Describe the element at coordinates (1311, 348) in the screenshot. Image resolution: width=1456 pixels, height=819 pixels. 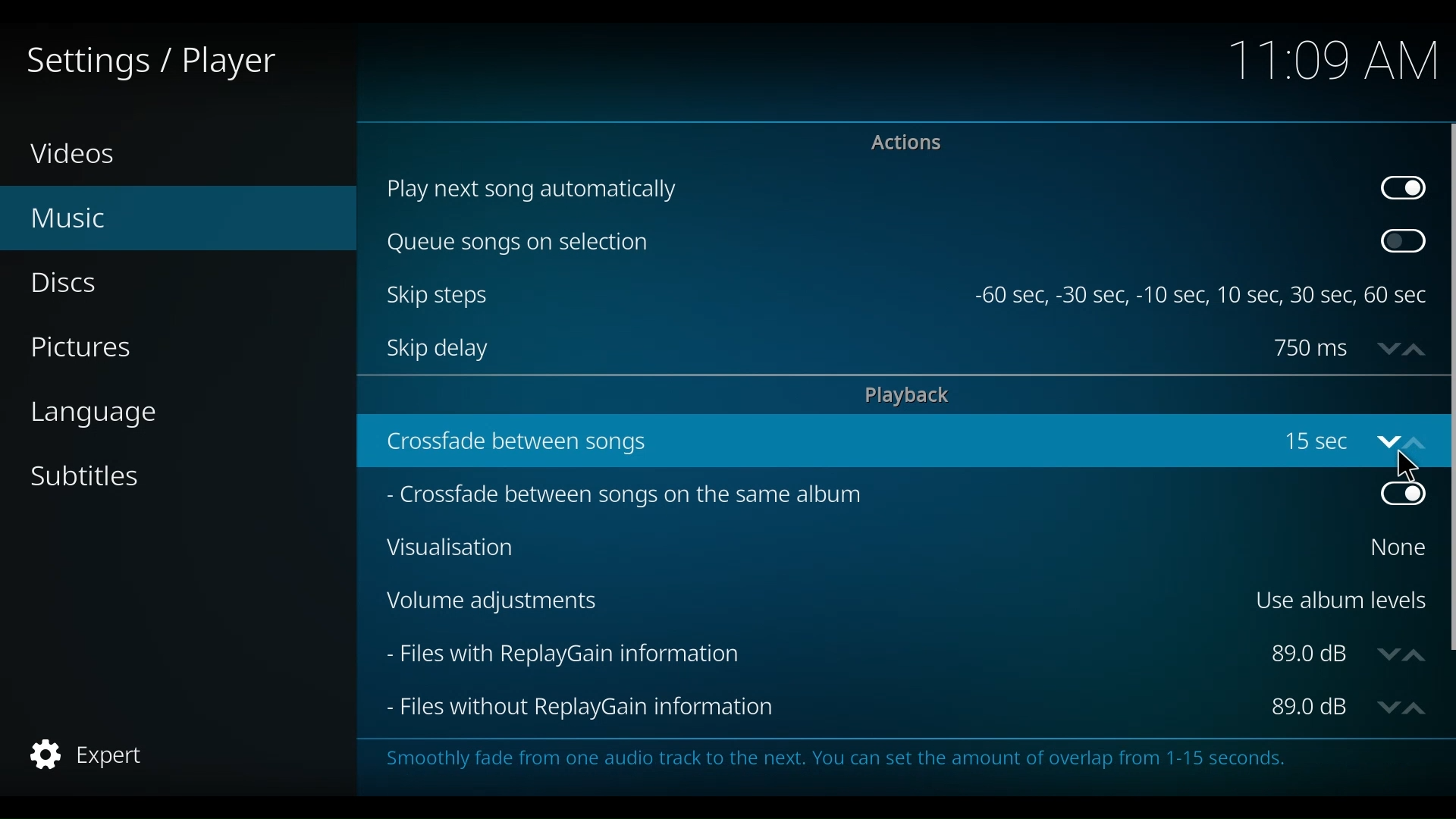
I see `Skip delay in ms` at that location.